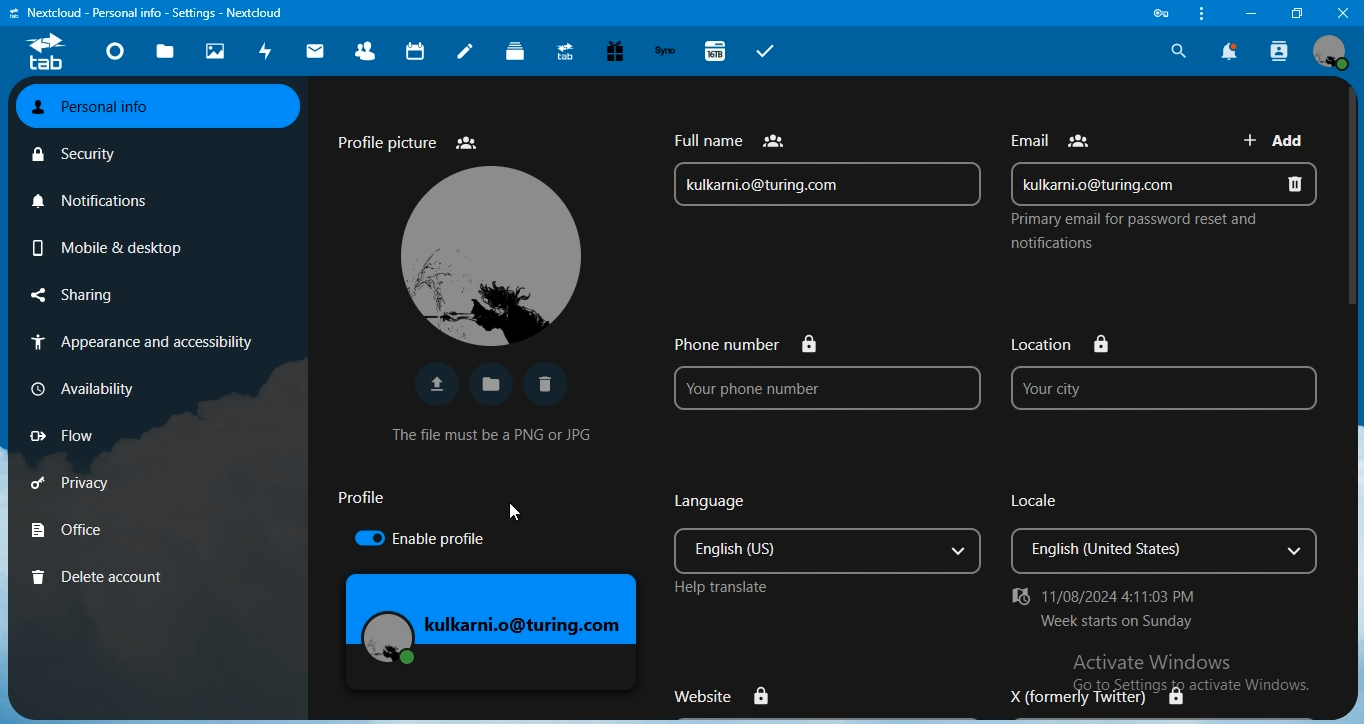 This screenshot has height=724, width=1364. Describe the element at coordinates (107, 246) in the screenshot. I see `mobile & desktop` at that location.